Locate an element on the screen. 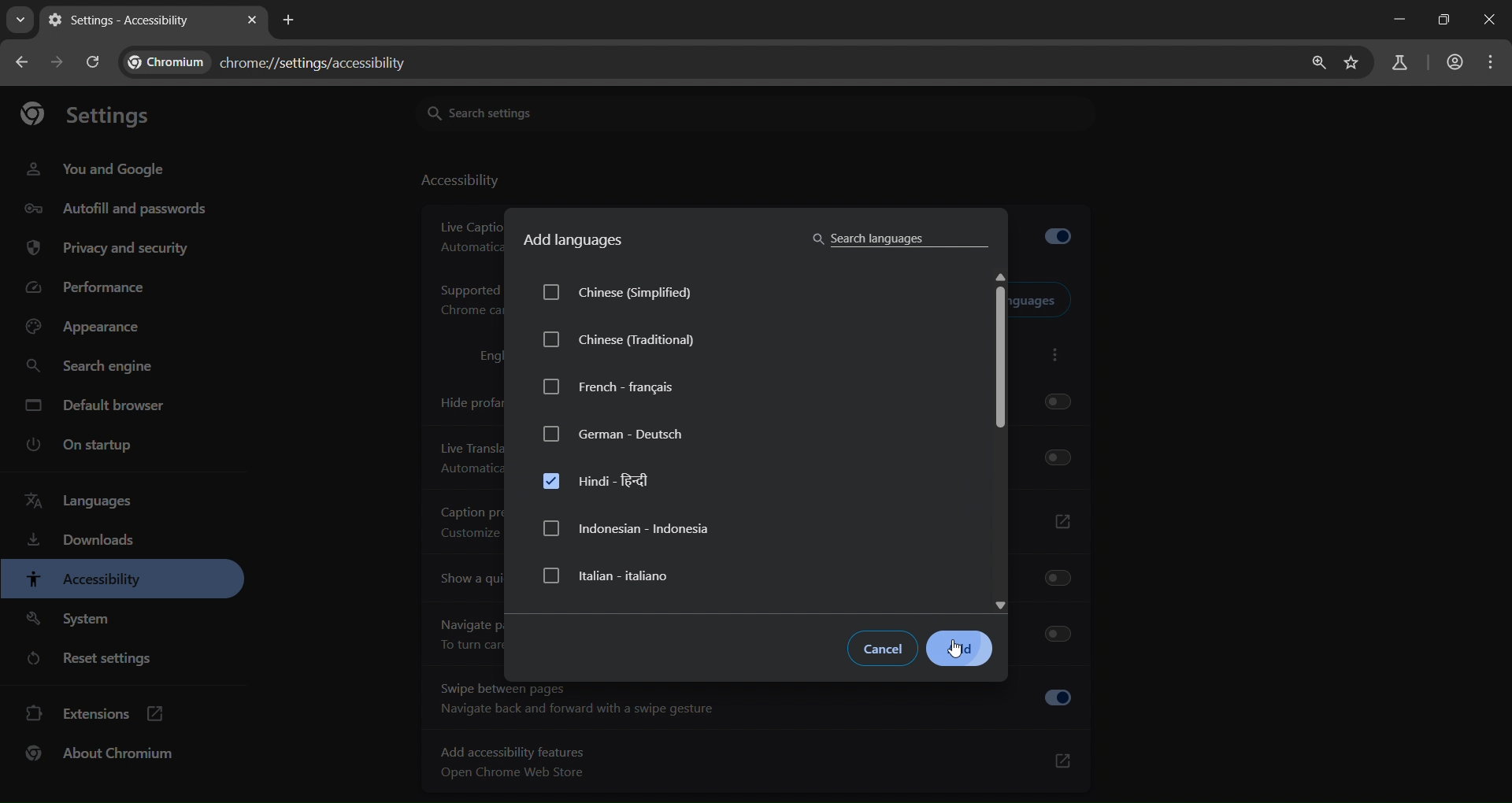 This screenshot has height=803, width=1512. minimize is located at coordinates (1398, 21).